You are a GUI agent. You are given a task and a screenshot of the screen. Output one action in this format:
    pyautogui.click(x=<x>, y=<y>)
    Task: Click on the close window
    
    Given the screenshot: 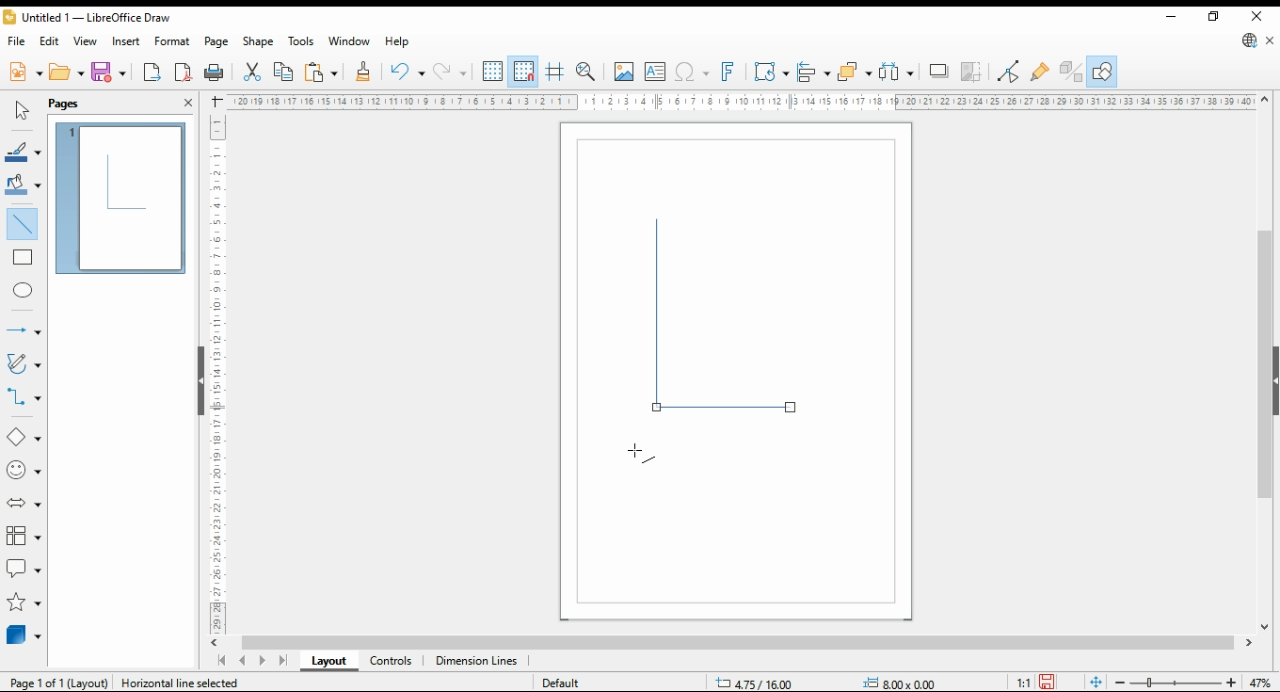 What is the action you would take?
    pyautogui.click(x=1259, y=16)
    